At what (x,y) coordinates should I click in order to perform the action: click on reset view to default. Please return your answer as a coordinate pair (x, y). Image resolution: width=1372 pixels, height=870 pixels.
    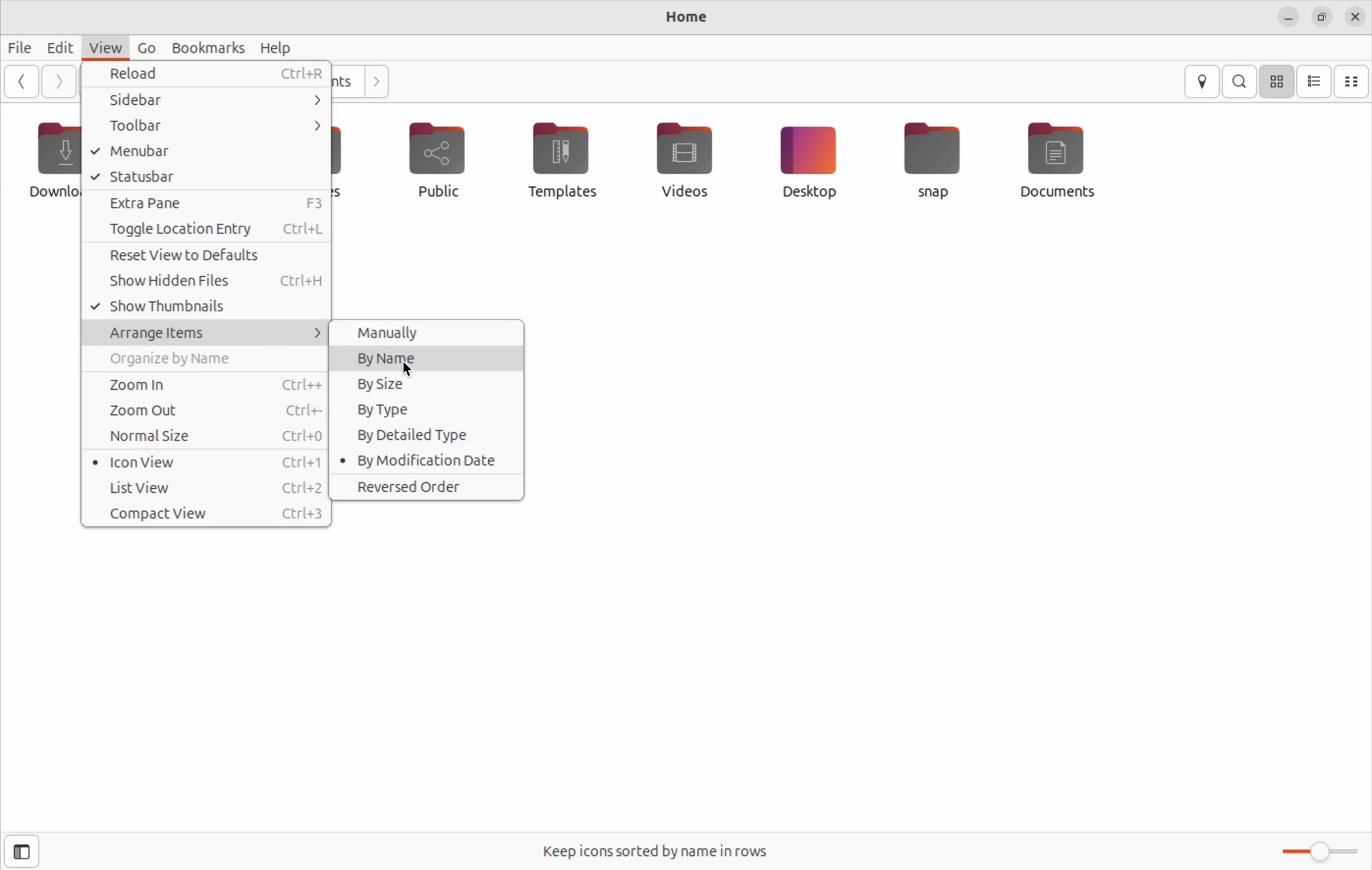
    Looking at the image, I should click on (205, 258).